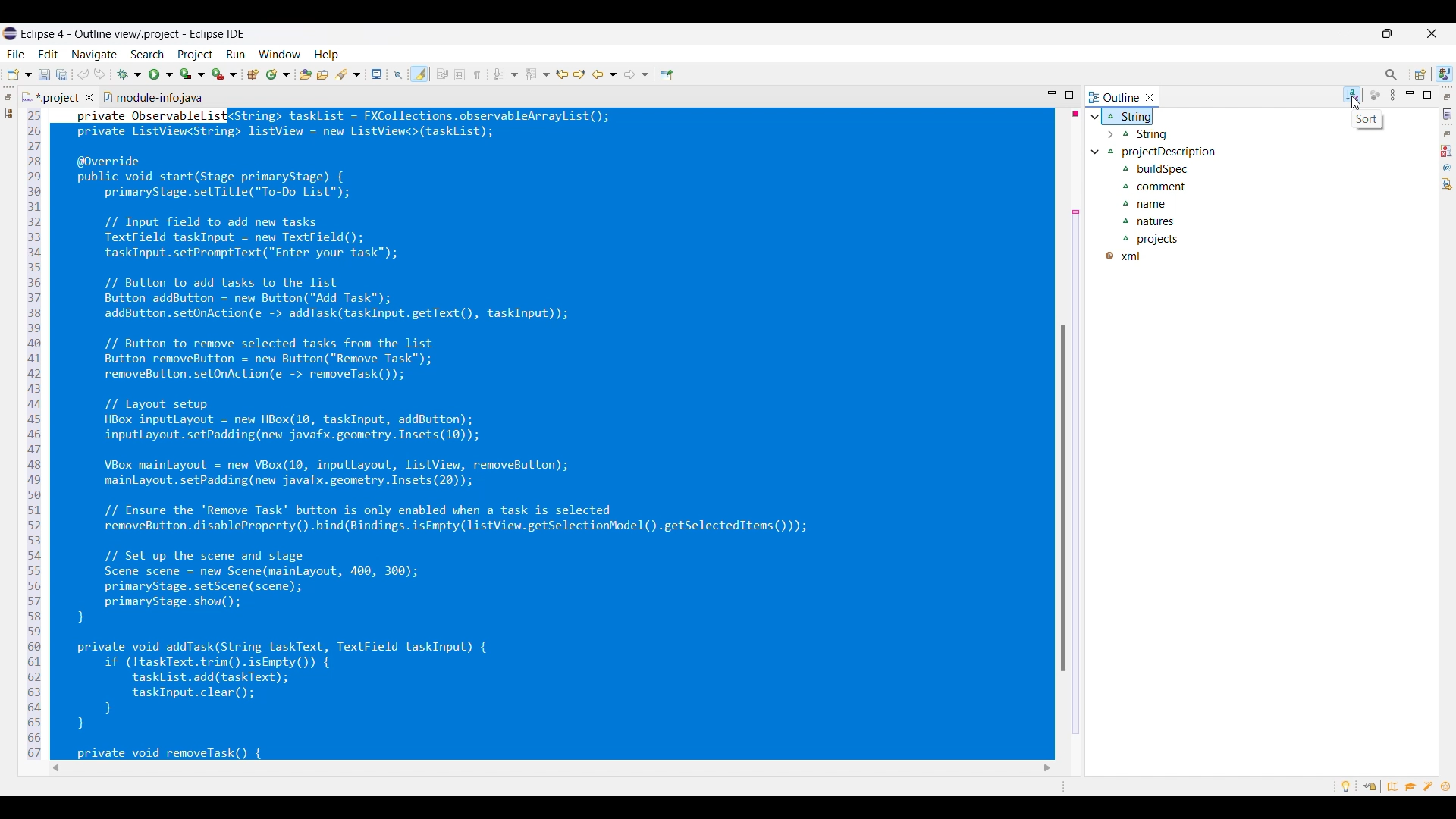 The height and width of the screenshot is (819, 1456). Describe the element at coordinates (1445, 786) in the screenshot. I see `What's new` at that location.